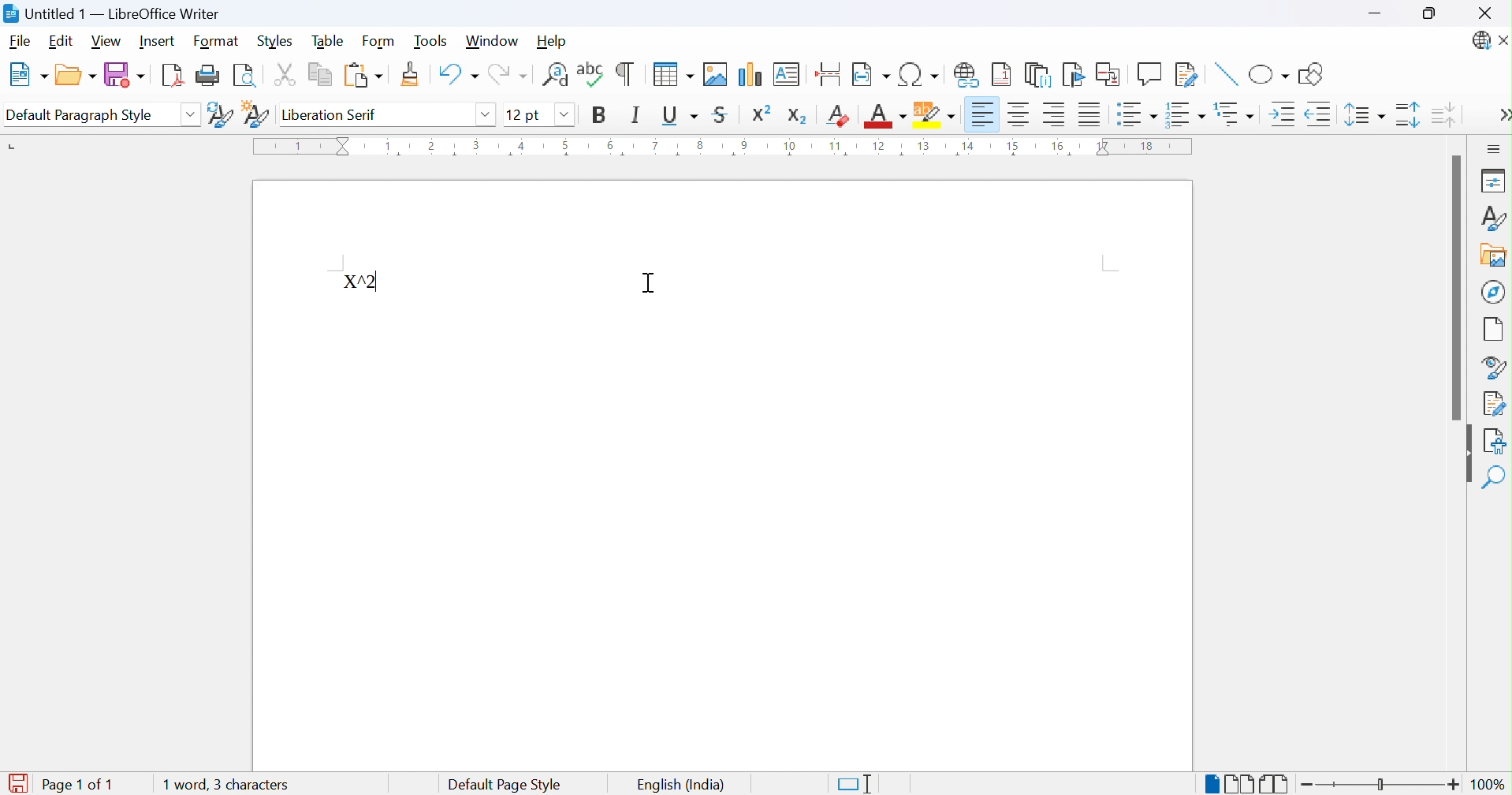 This screenshot has height=795, width=1512. Describe the element at coordinates (970, 76) in the screenshot. I see `Insert hyperlink` at that location.